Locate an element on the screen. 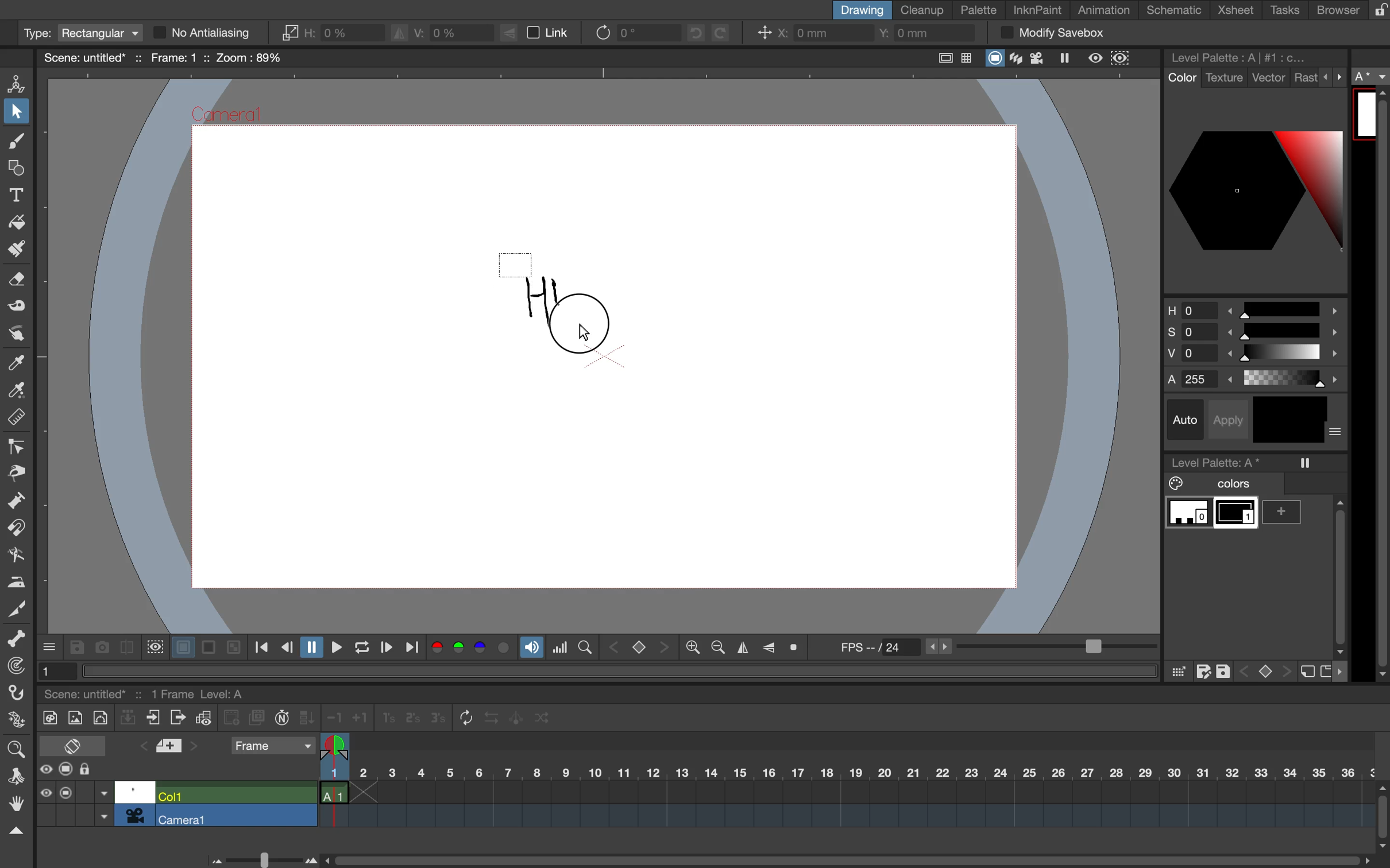  hue is located at coordinates (1253, 308).